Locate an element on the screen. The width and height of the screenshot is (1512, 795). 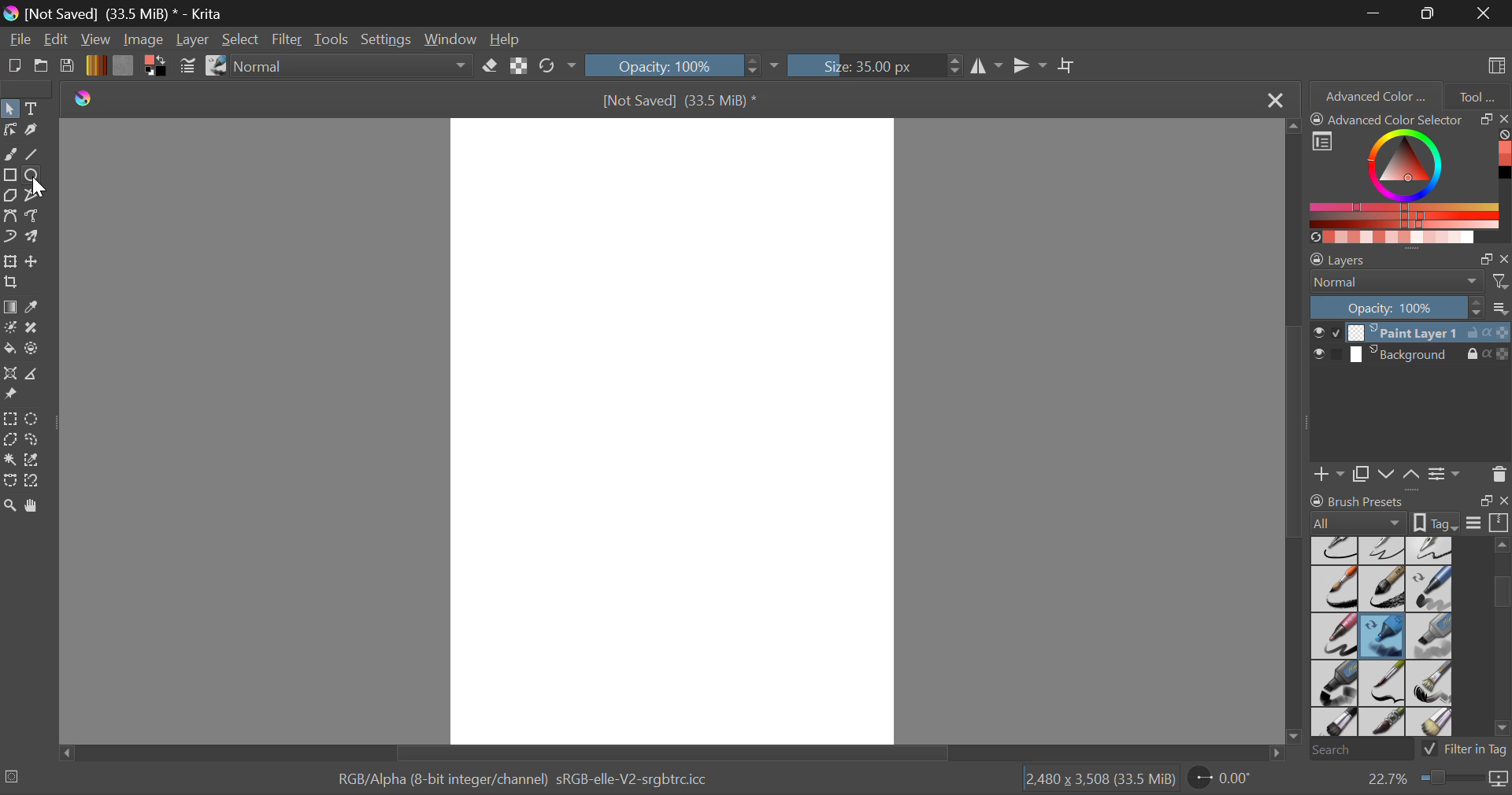
Line is located at coordinates (35, 156).